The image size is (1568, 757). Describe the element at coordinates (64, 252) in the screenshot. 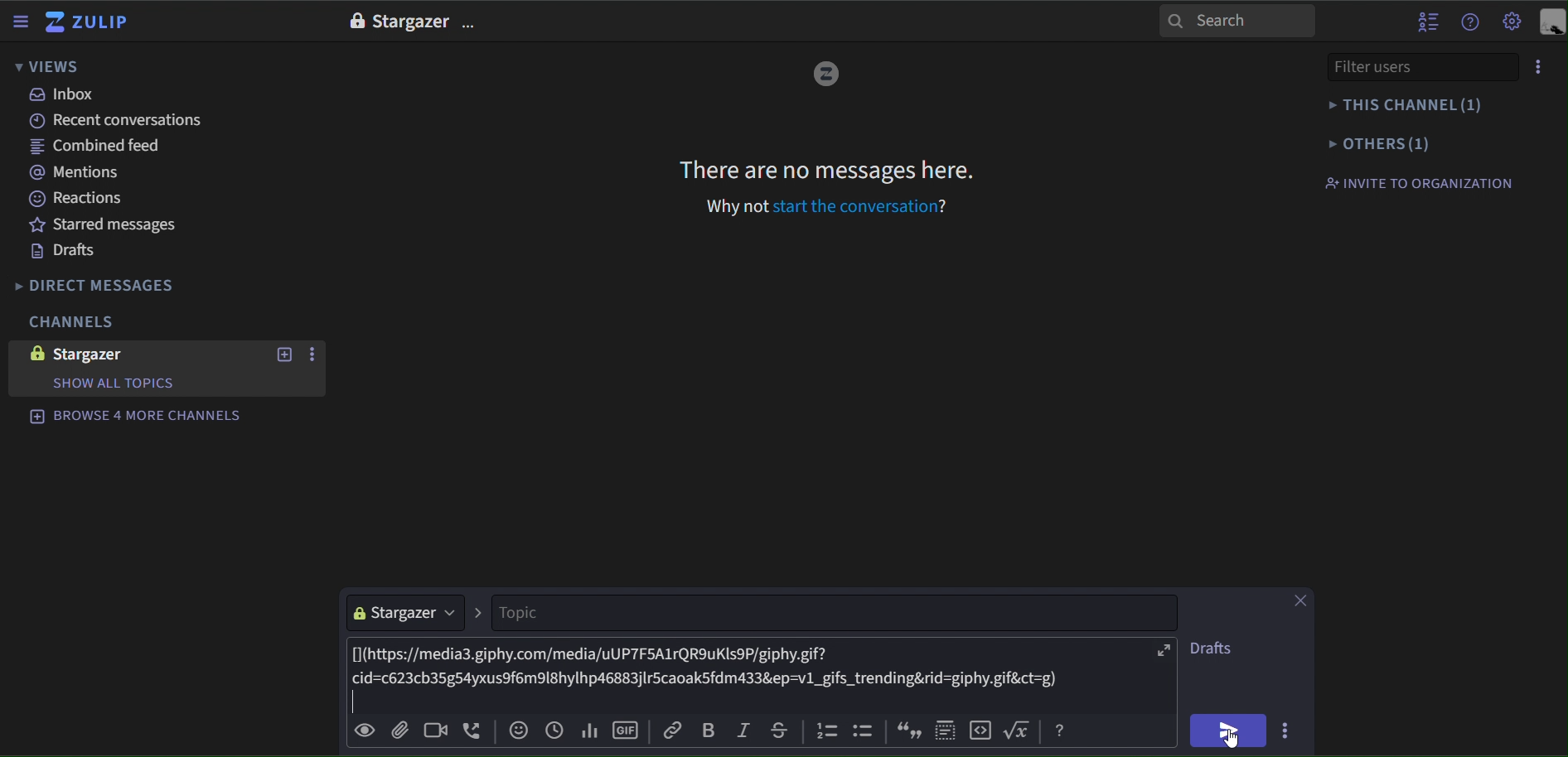

I see `drafts` at that location.